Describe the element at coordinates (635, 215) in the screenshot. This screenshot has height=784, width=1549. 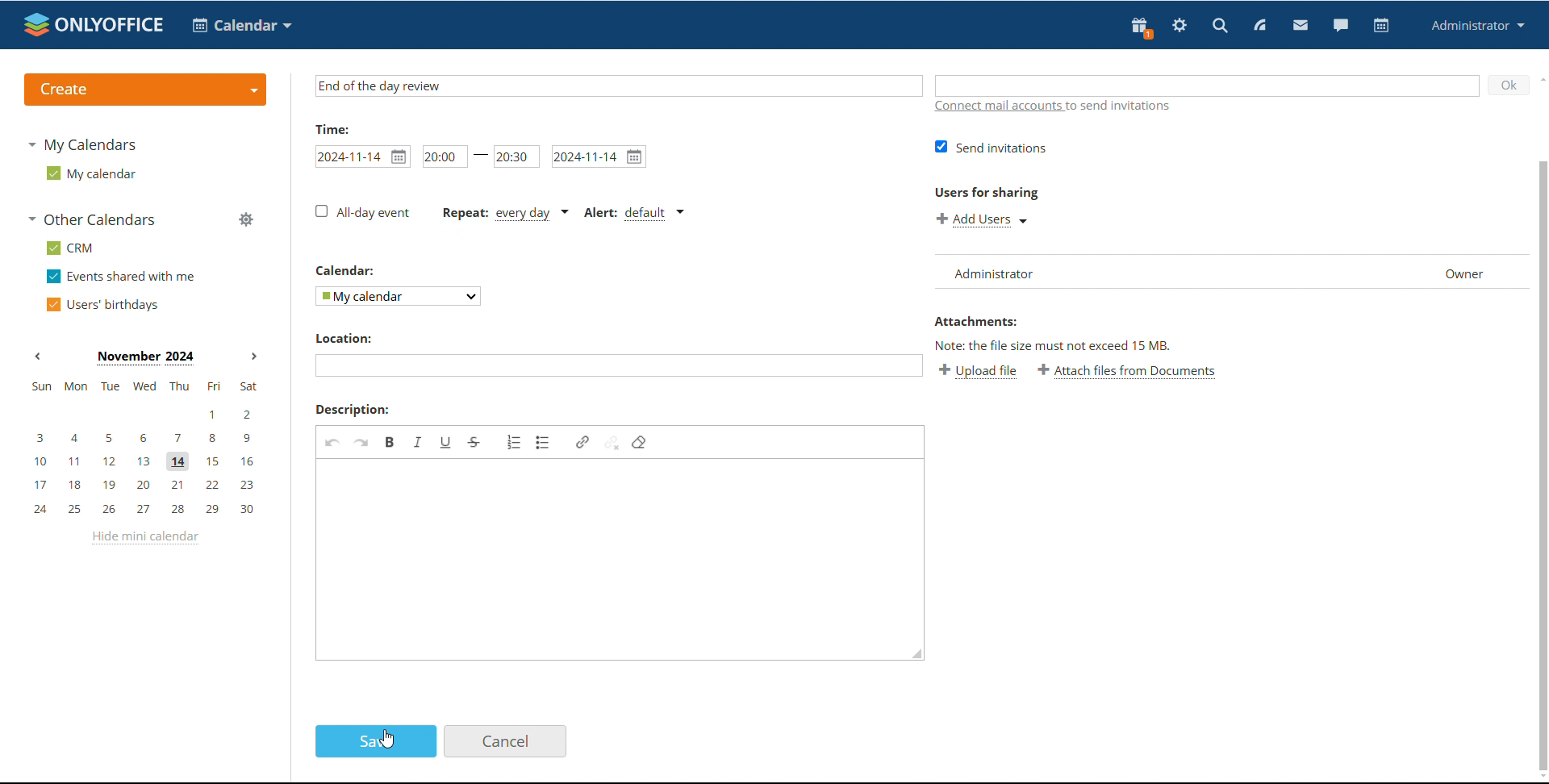
I see `Event alert type set to default` at that location.